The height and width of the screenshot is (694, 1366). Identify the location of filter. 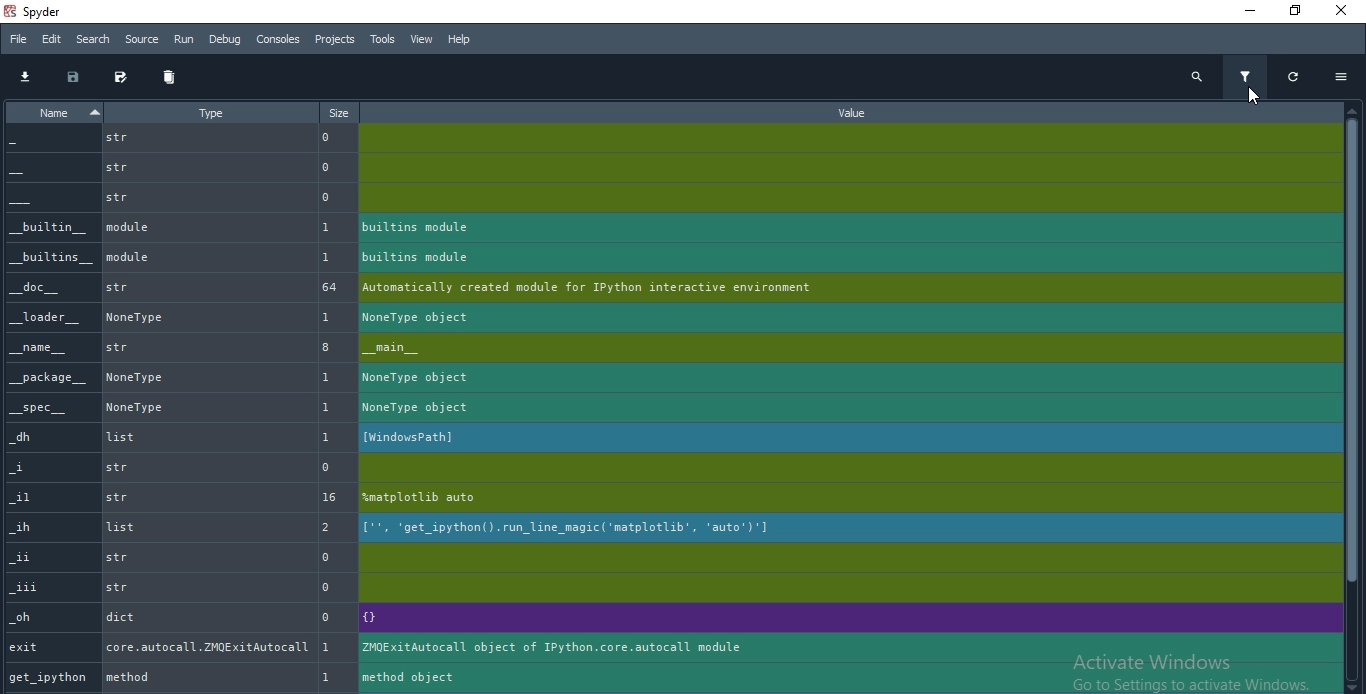
(1244, 76).